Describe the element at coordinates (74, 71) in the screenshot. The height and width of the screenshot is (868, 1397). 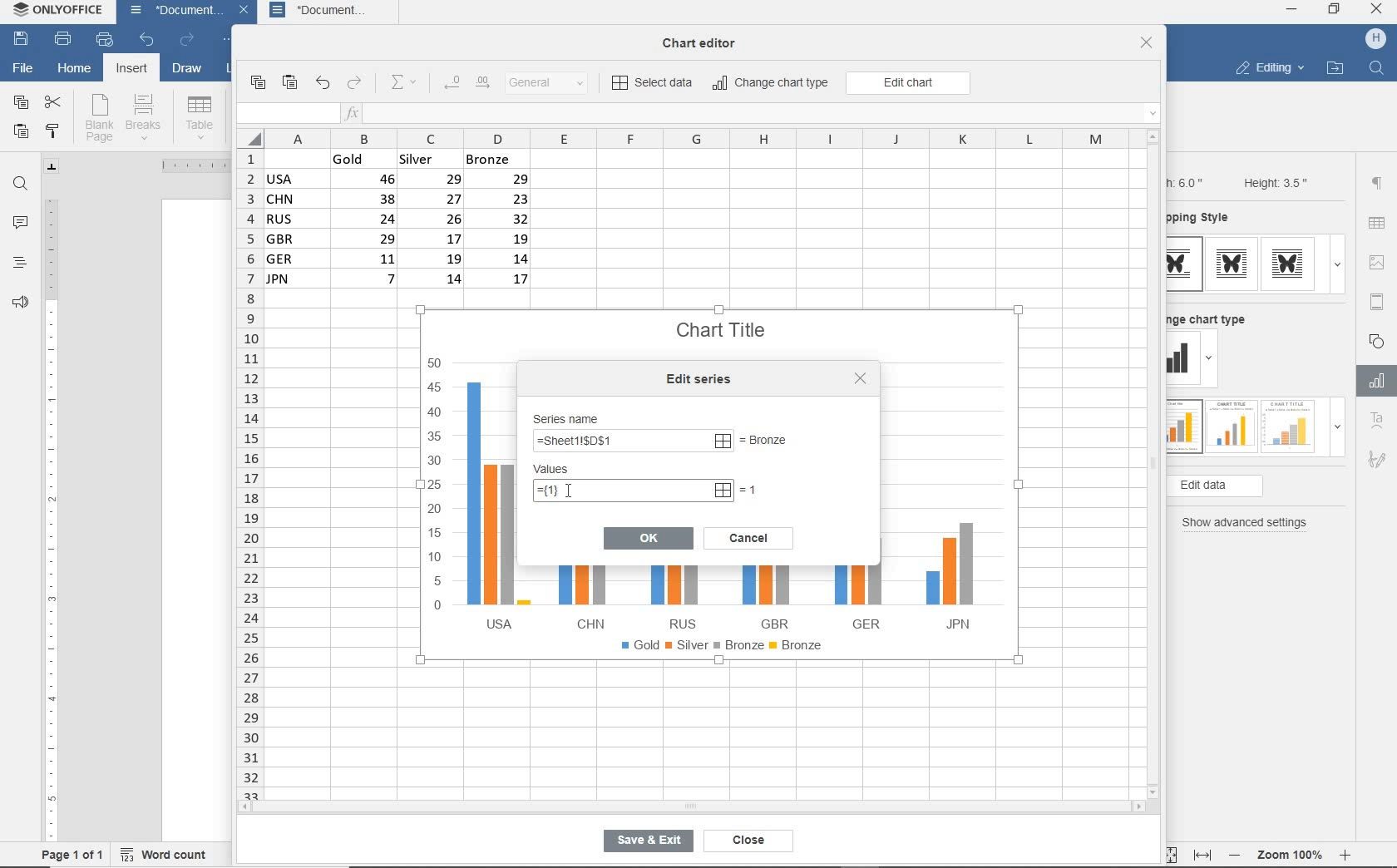
I see `home` at that location.